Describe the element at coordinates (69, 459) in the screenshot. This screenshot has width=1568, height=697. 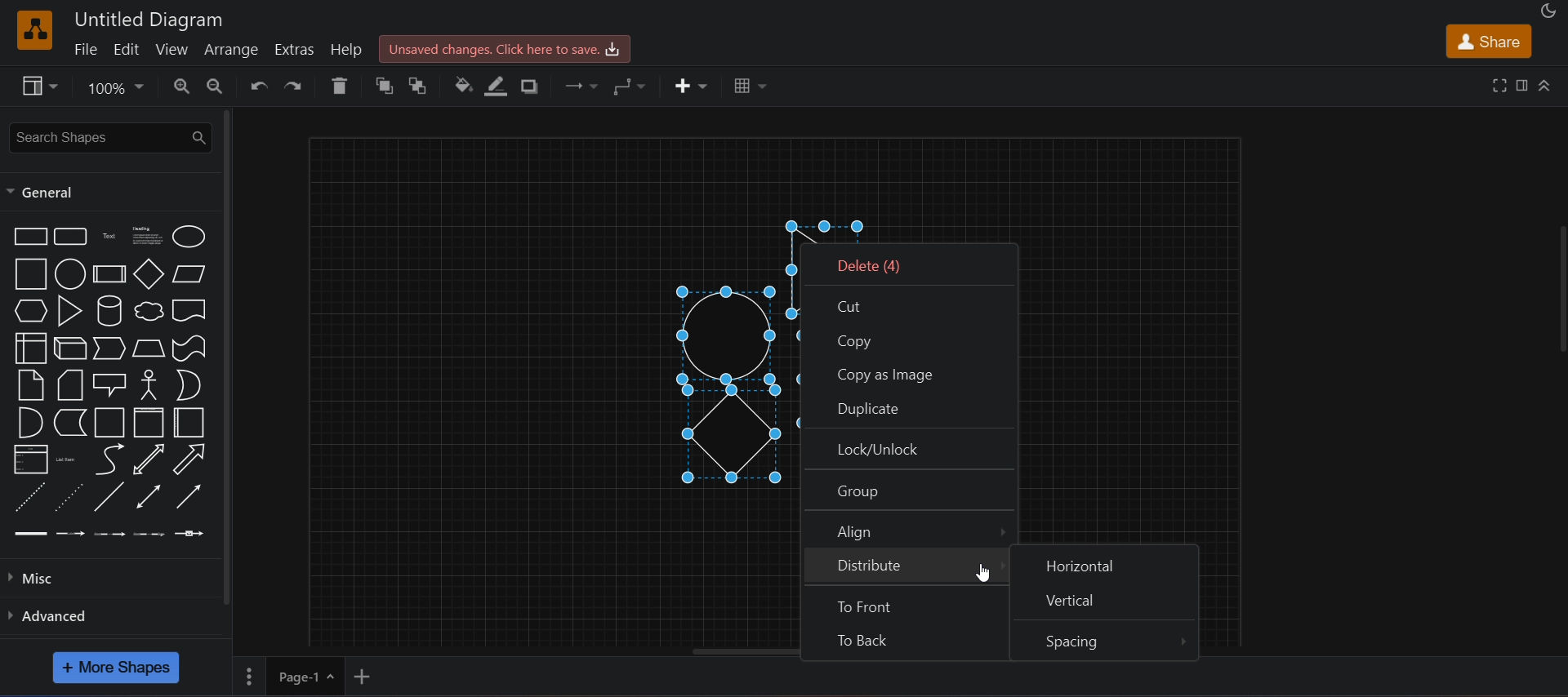
I see `list item` at that location.